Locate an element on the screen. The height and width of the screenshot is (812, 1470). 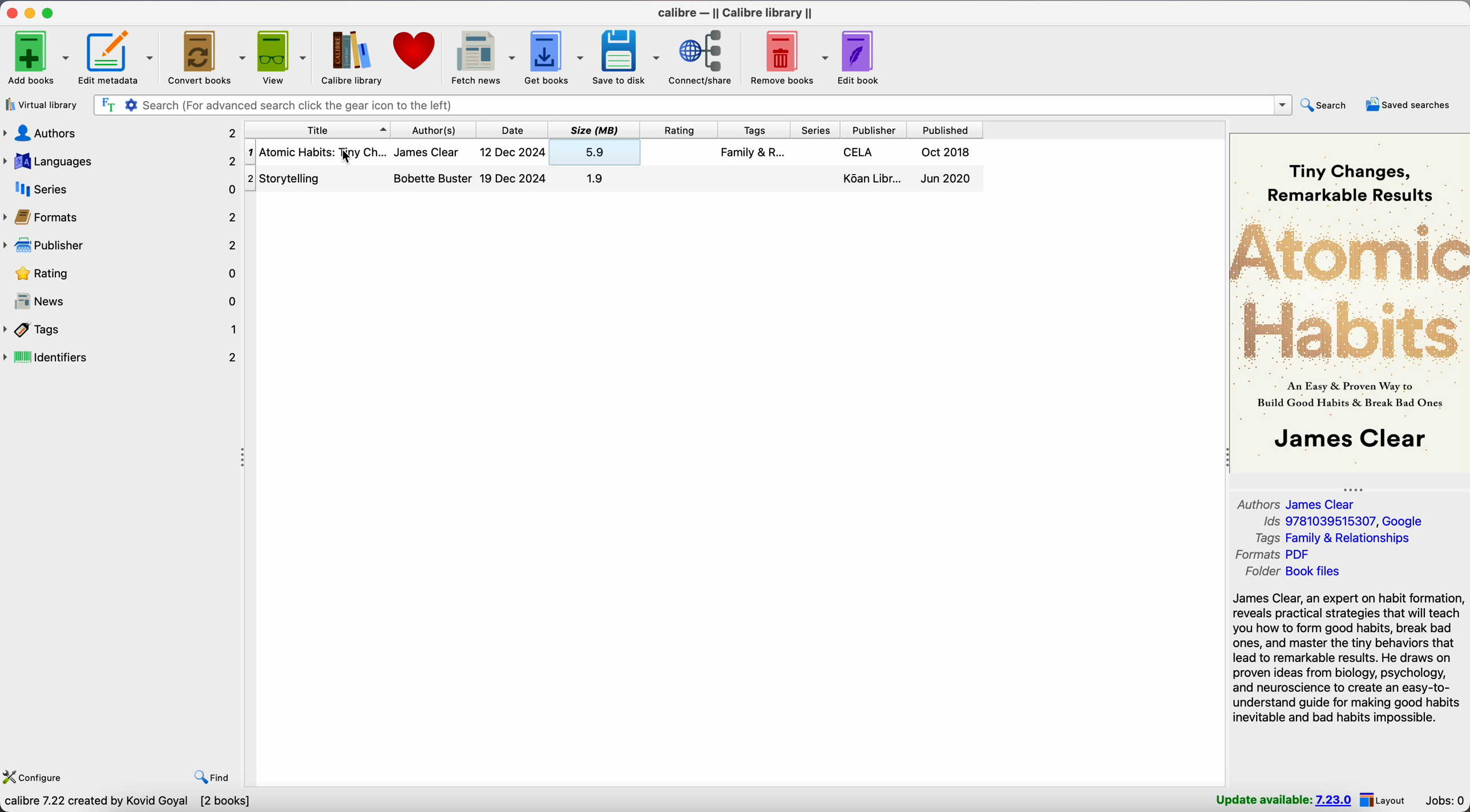
tags is located at coordinates (122, 329).